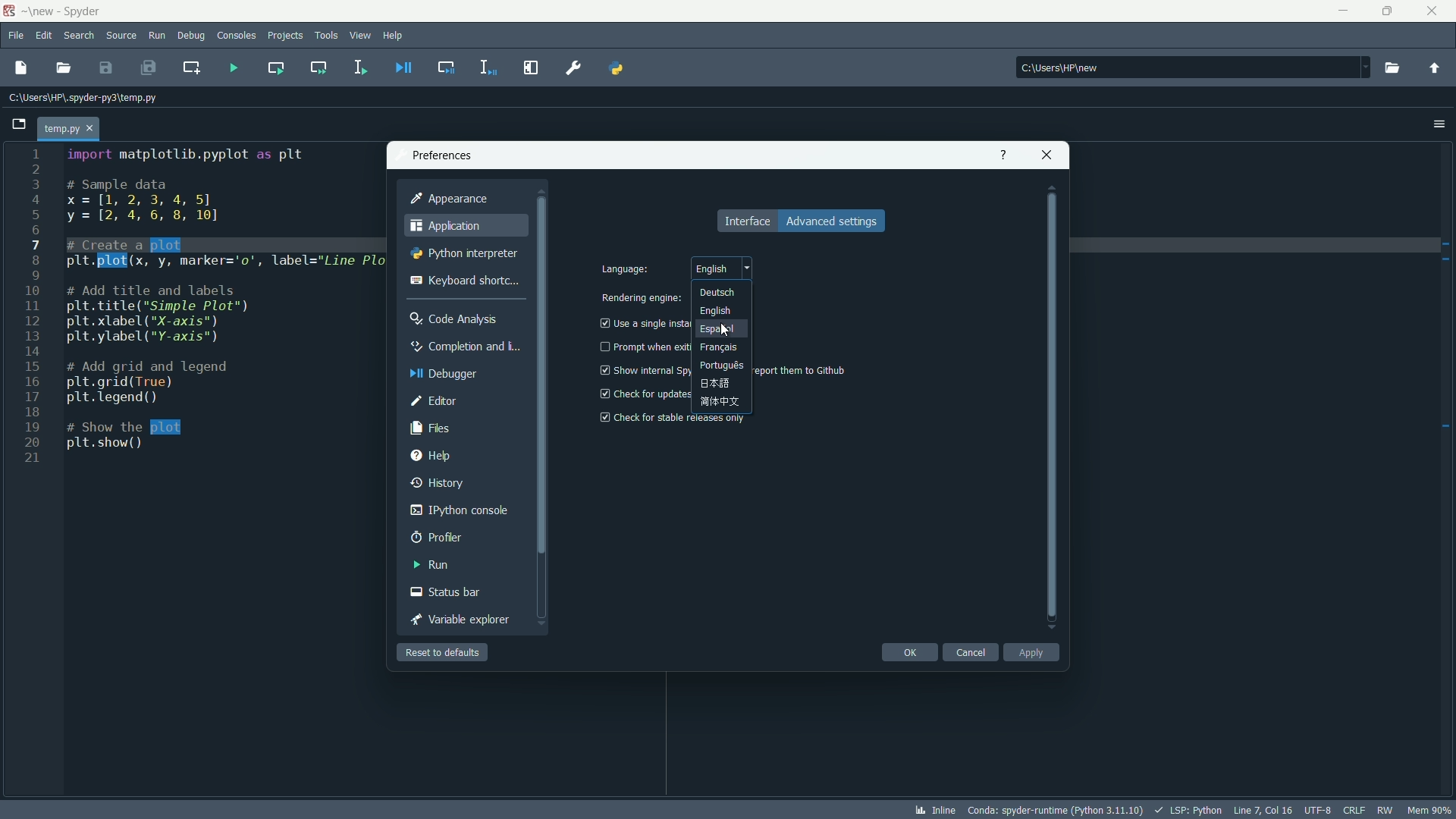 This screenshot has height=819, width=1456. Describe the element at coordinates (1034, 652) in the screenshot. I see `apply` at that location.